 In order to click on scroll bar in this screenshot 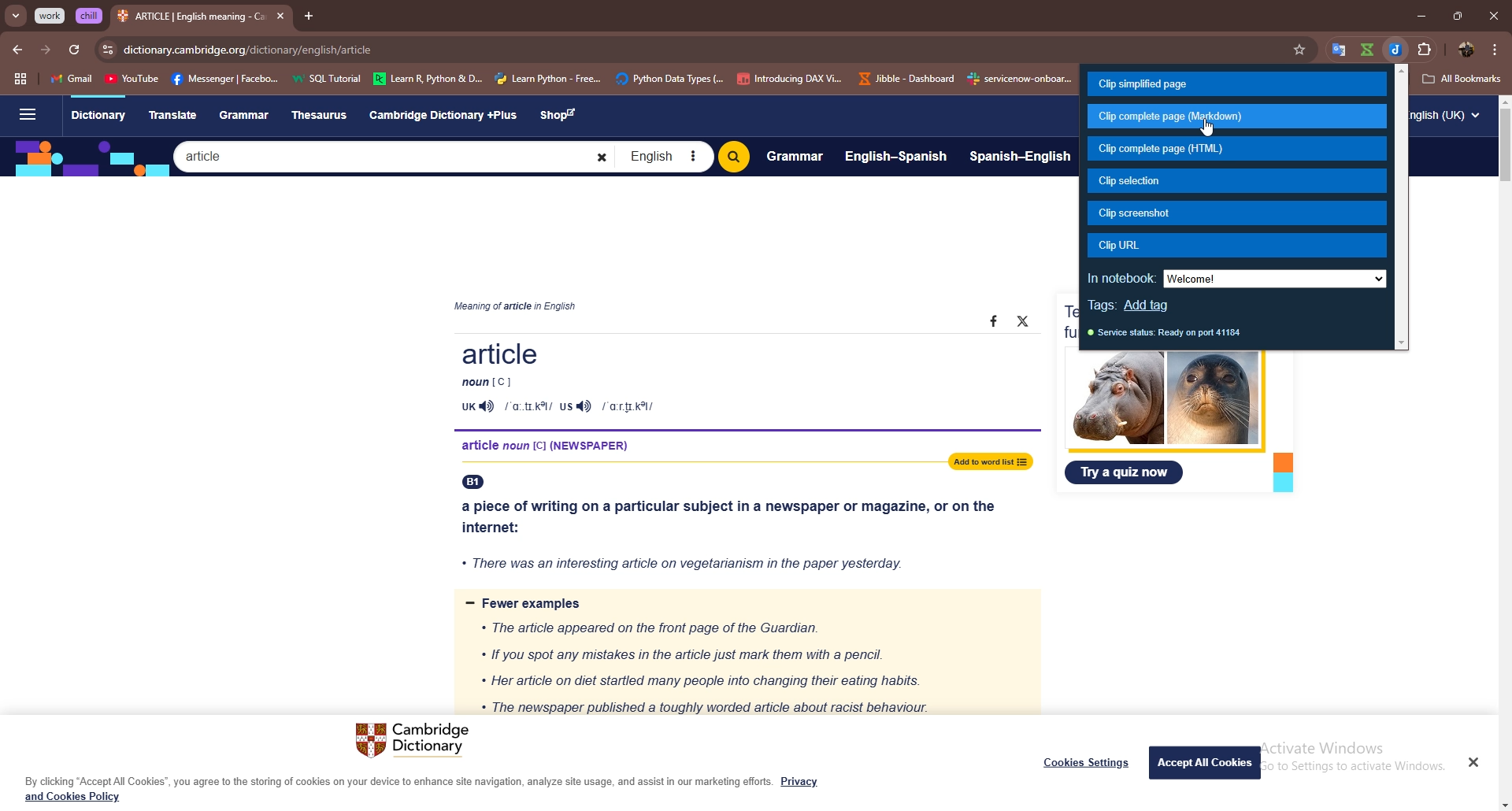, I will do `click(1506, 147)`.